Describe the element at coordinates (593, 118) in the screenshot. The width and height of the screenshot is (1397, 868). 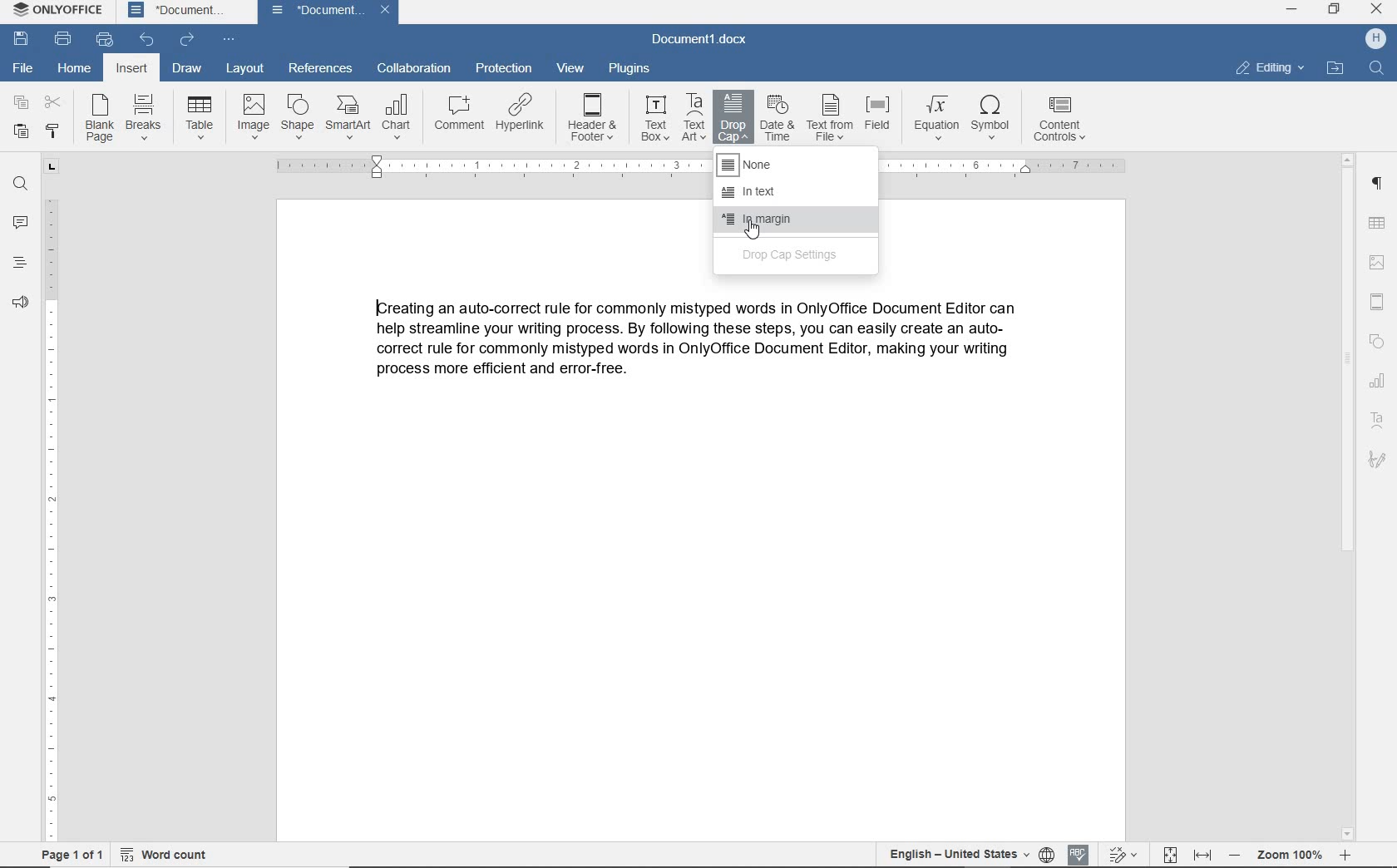
I see `header & footer` at that location.